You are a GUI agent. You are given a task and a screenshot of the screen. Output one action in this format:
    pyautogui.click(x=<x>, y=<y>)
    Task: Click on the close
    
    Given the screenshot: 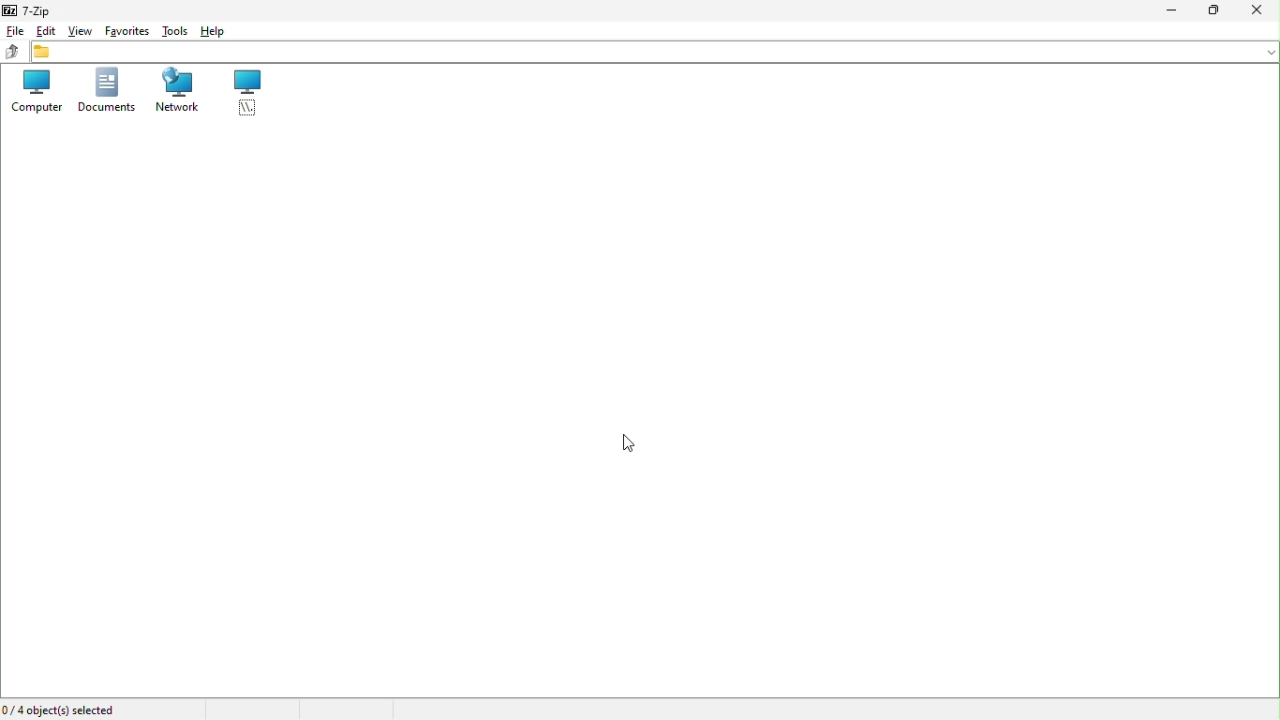 What is the action you would take?
    pyautogui.click(x=1262, y=11)
    